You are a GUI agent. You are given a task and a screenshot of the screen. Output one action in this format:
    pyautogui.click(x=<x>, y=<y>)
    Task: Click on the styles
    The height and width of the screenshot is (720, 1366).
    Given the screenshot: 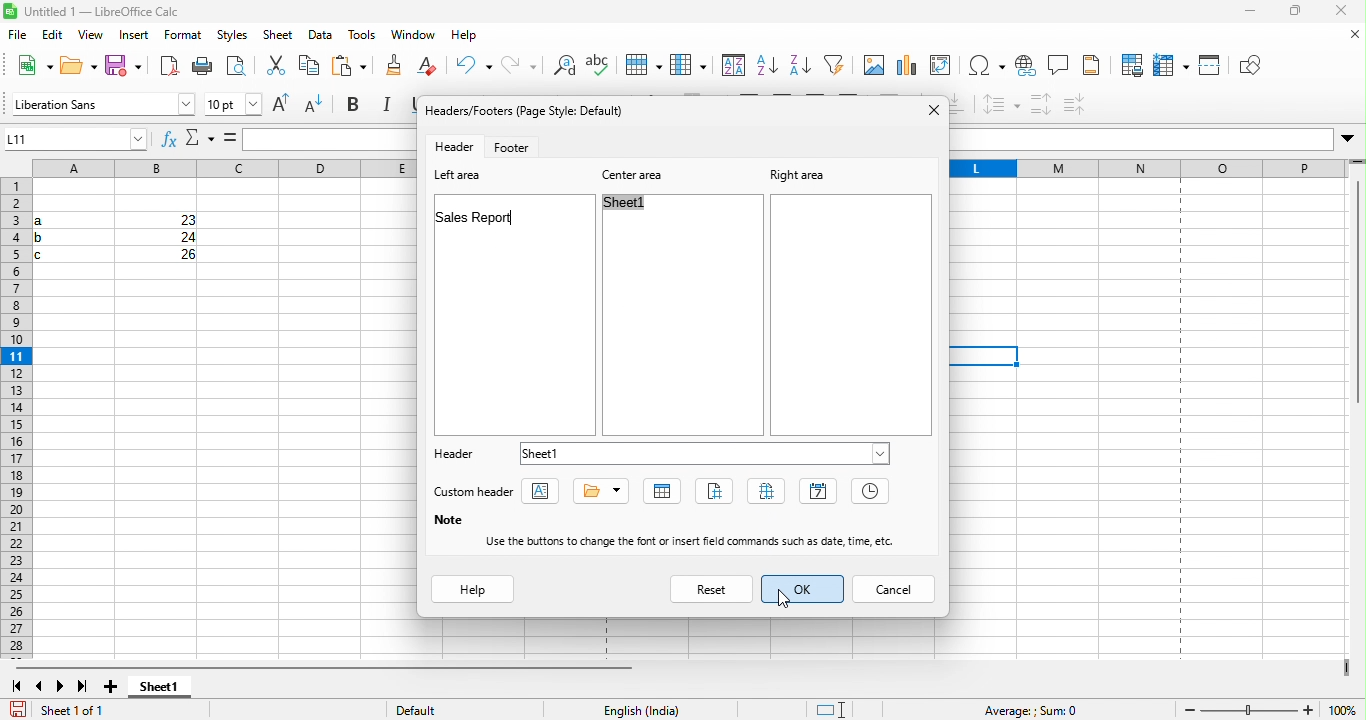 What is the action you would take?
    pyautogui.click(x=228, y=39)
    